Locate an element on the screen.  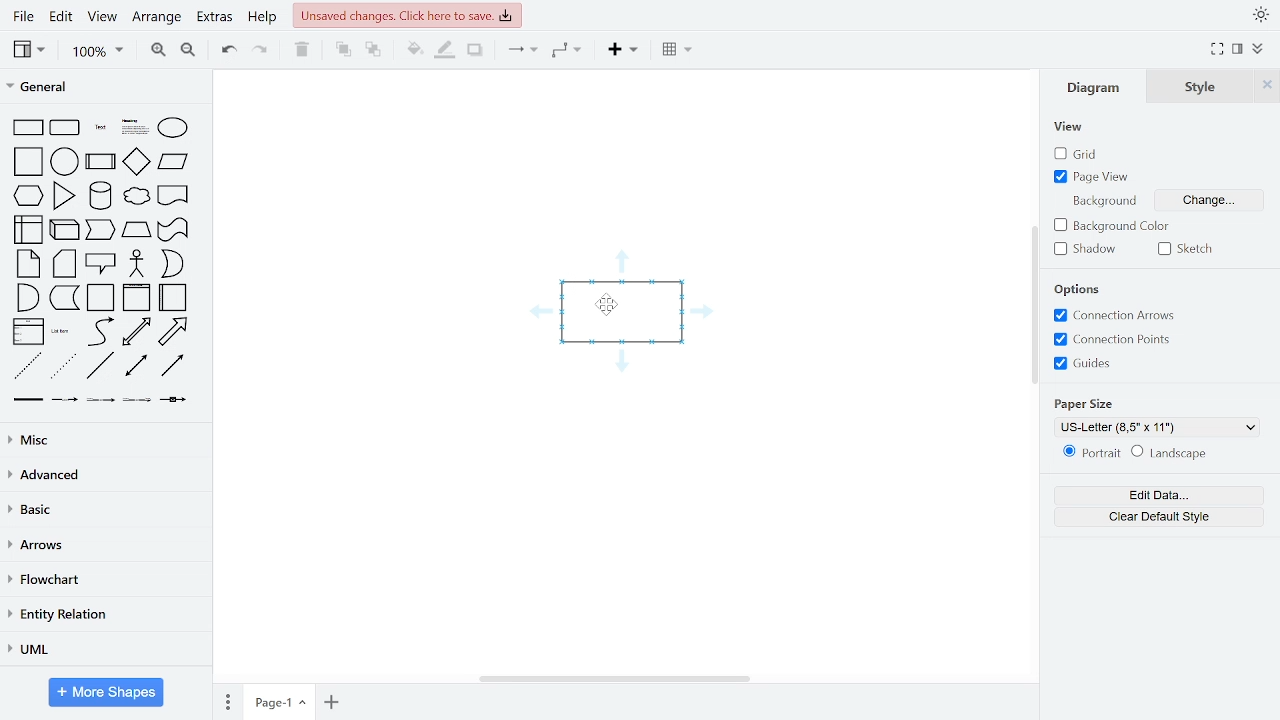
link is located at coordinates (29, 399).